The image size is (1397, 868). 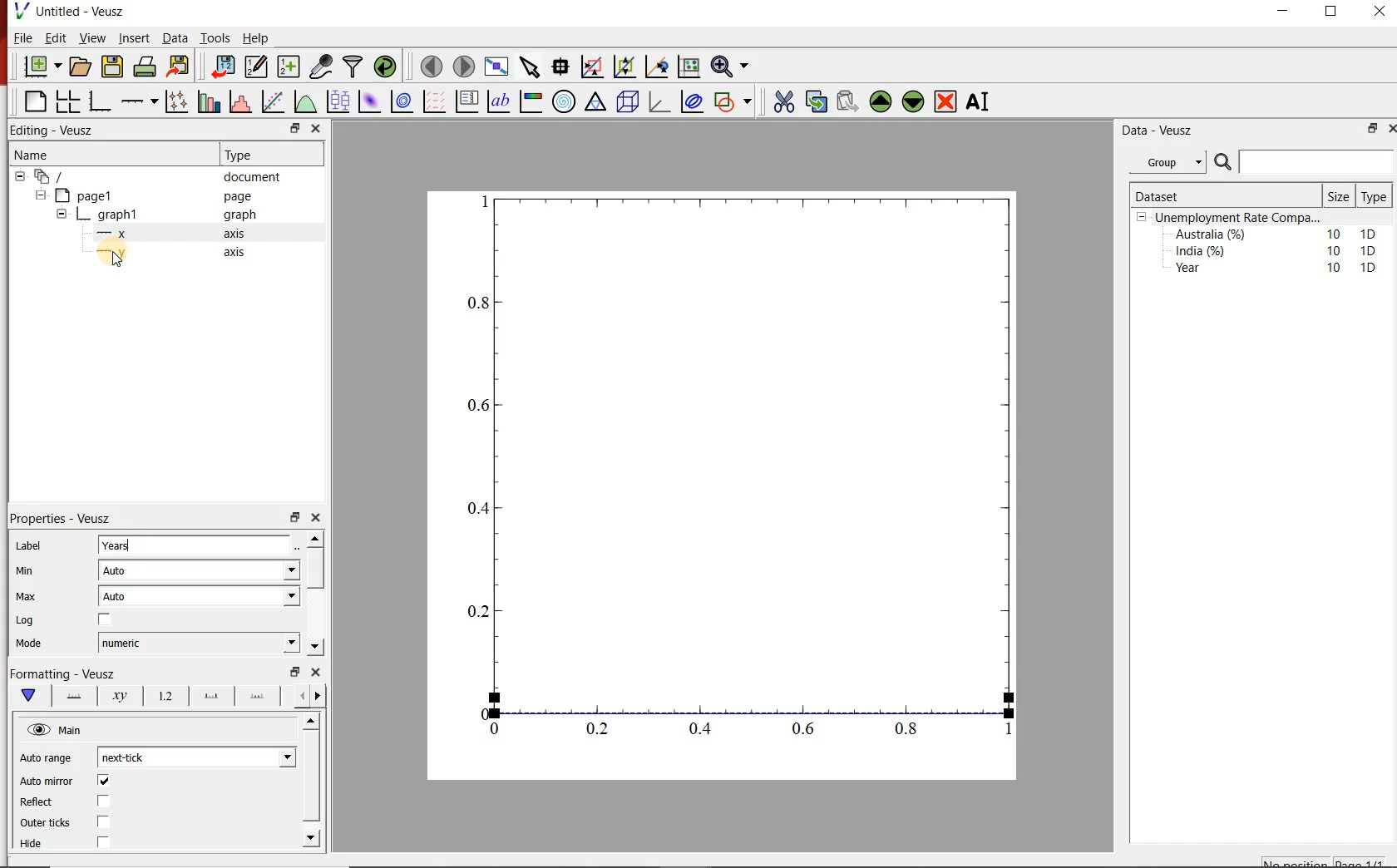 What do you see at coordinates (313, 721) in the screenshot?
I see `move up` at bounding box center [313, 721].